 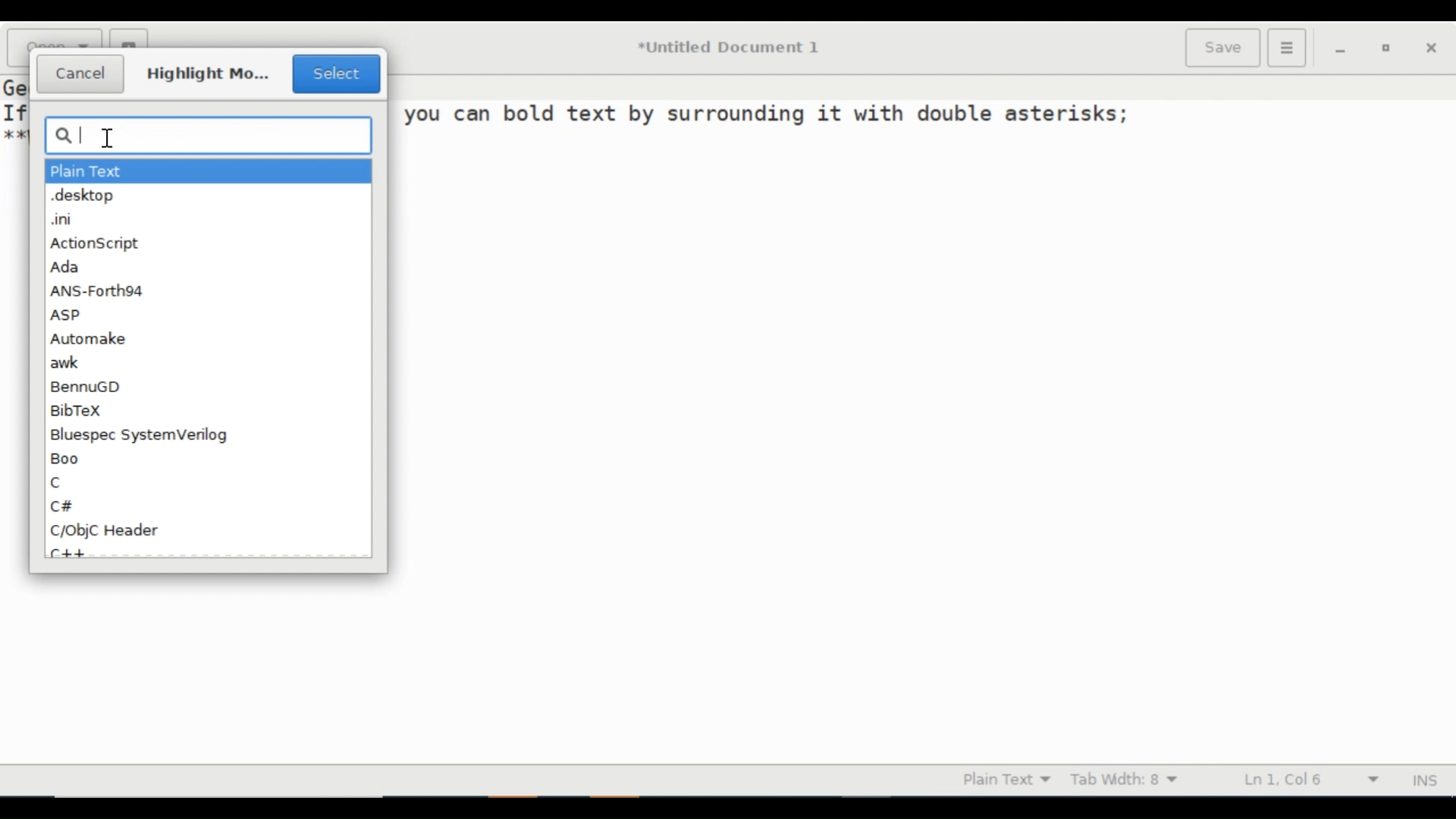 What do you see at coordinates (1431, 47) in the screenshot?
I see `close` at bounding box center [1431, 47].